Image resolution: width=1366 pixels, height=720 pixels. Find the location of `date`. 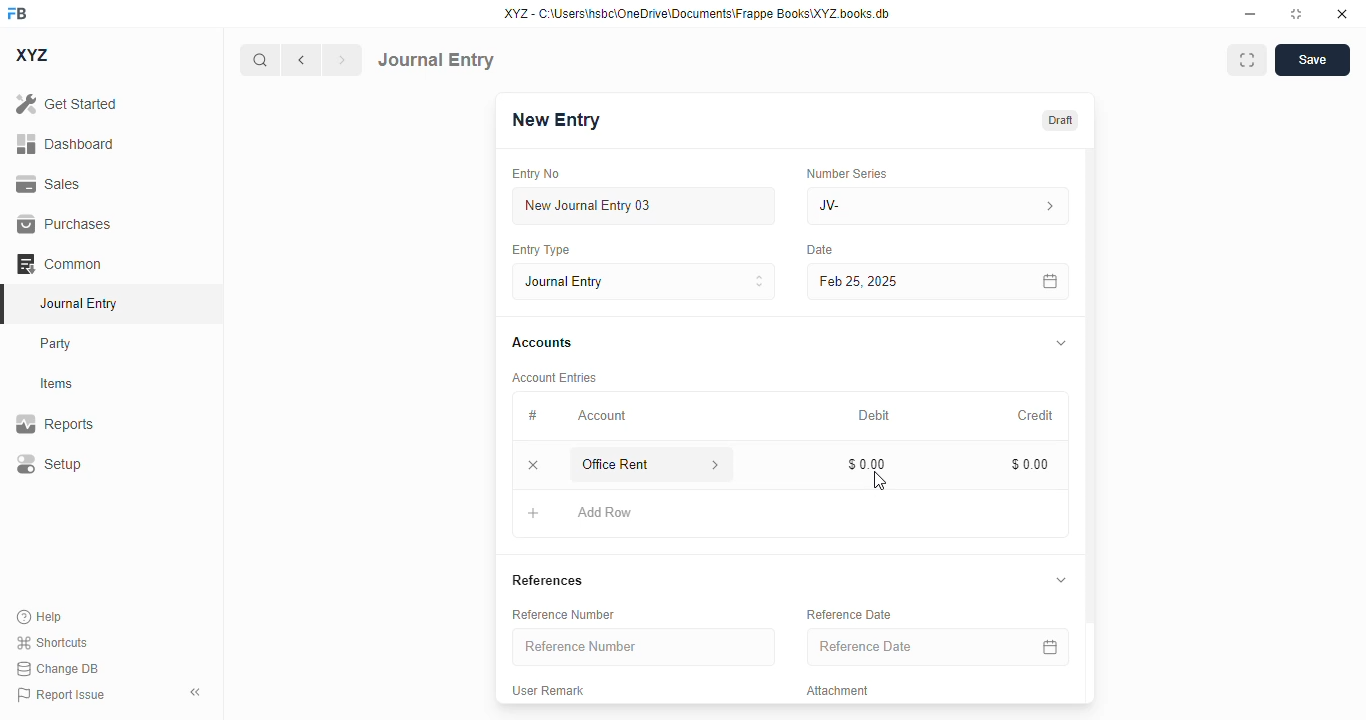

date is located at coordinates (821, 250).